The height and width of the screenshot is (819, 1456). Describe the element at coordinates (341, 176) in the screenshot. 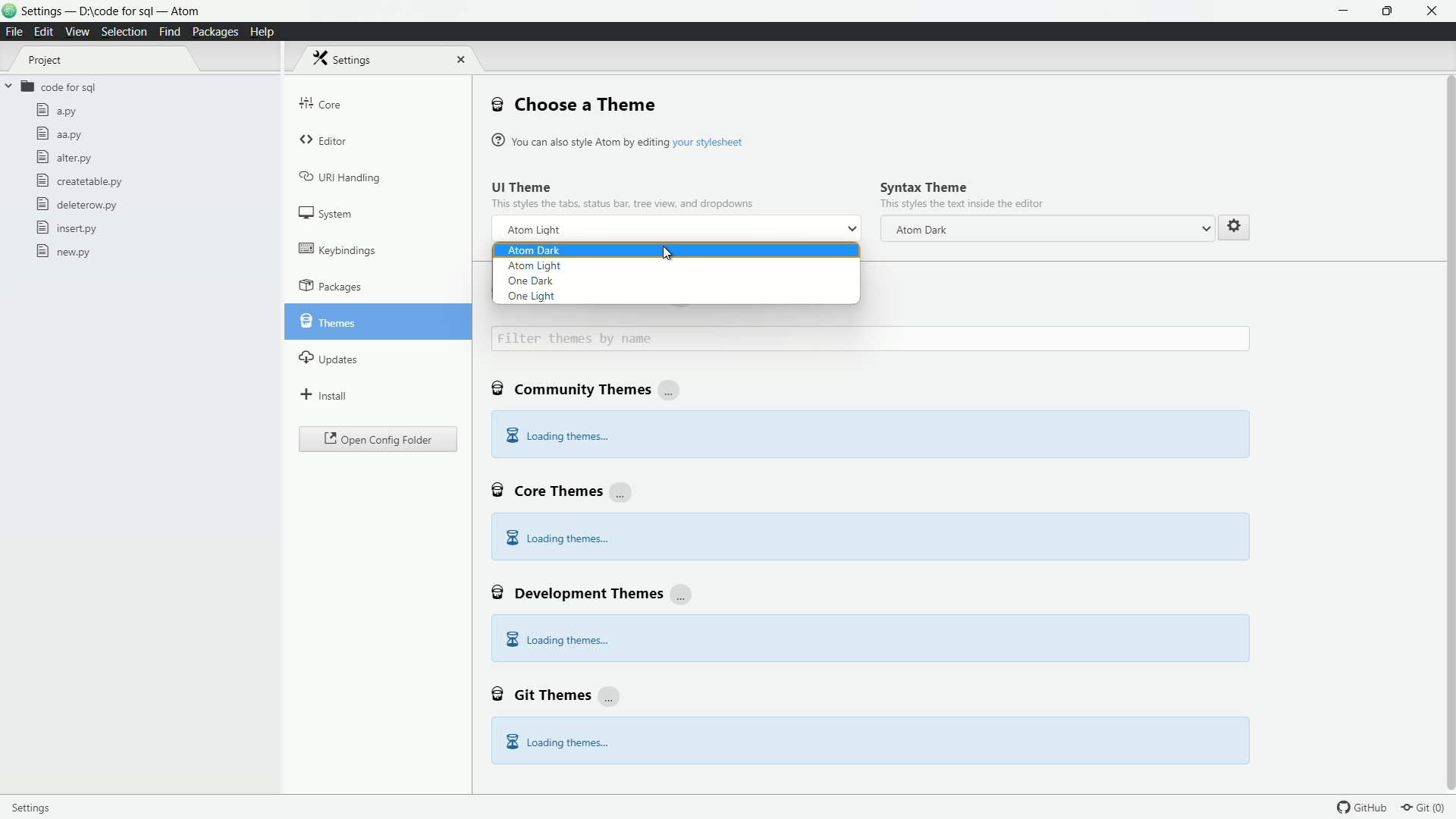

I see `uri handling` at that location.